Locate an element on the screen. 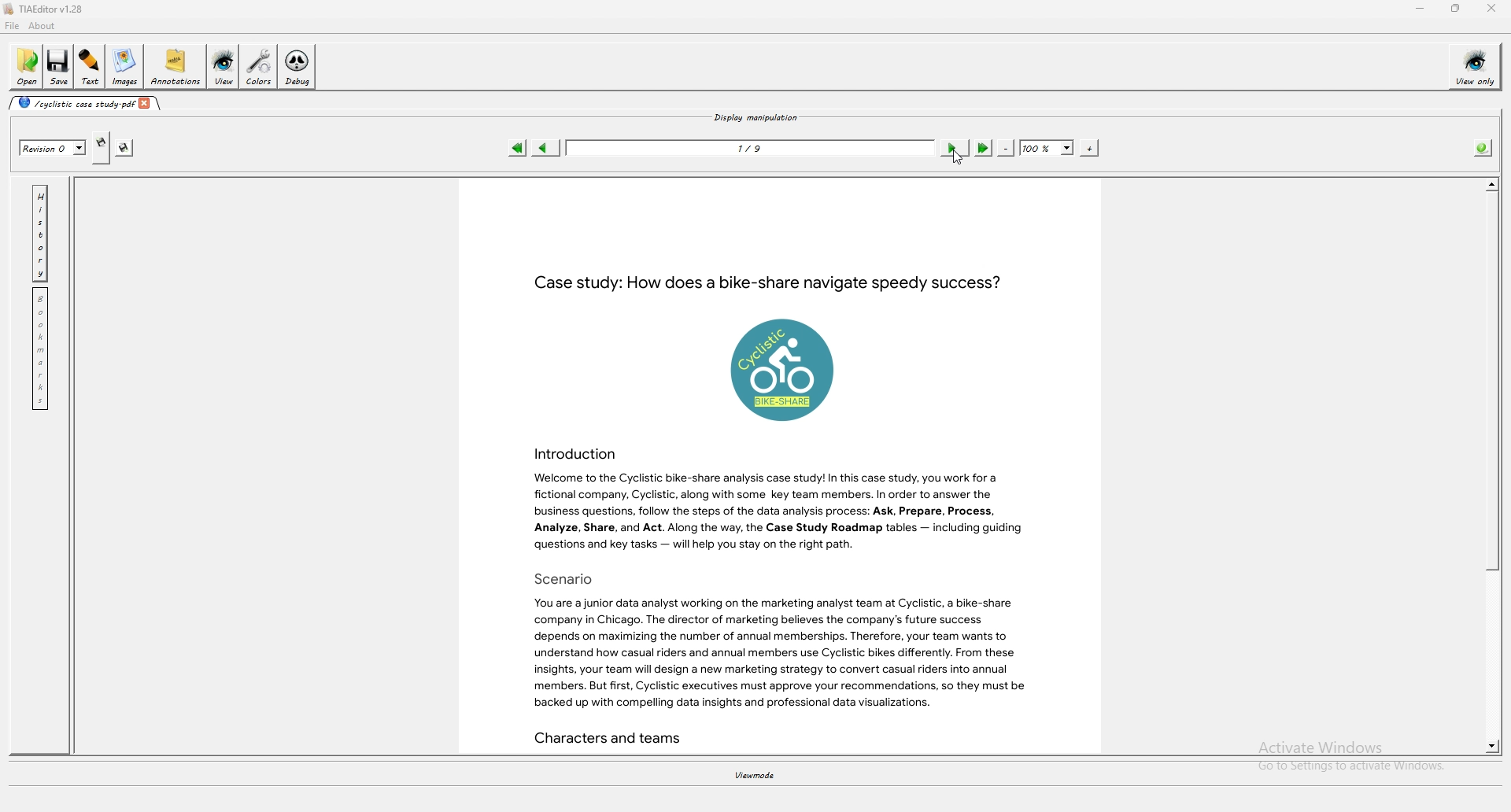 The width and height of the screenshot is (1511, 812). Revision 0 is located at coordinates (52, 148).